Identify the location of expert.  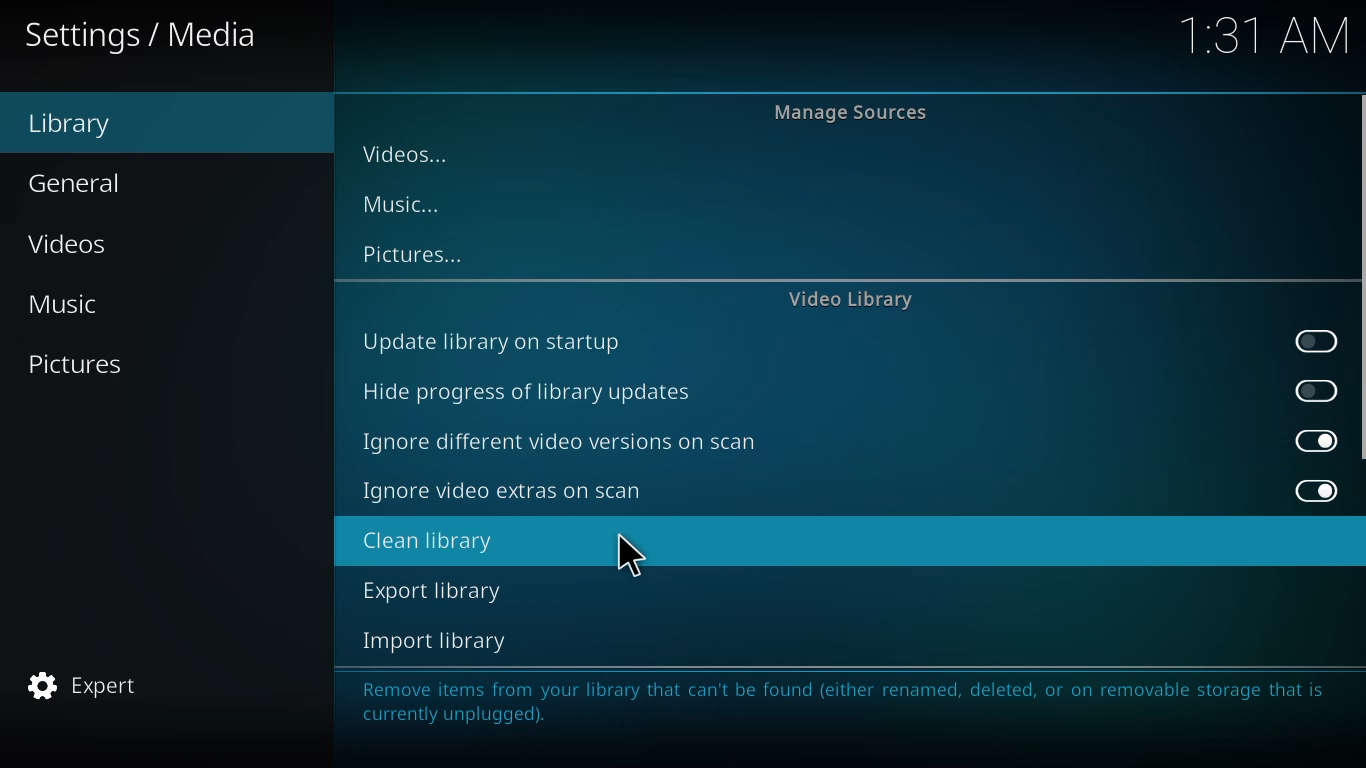
(91, 685).